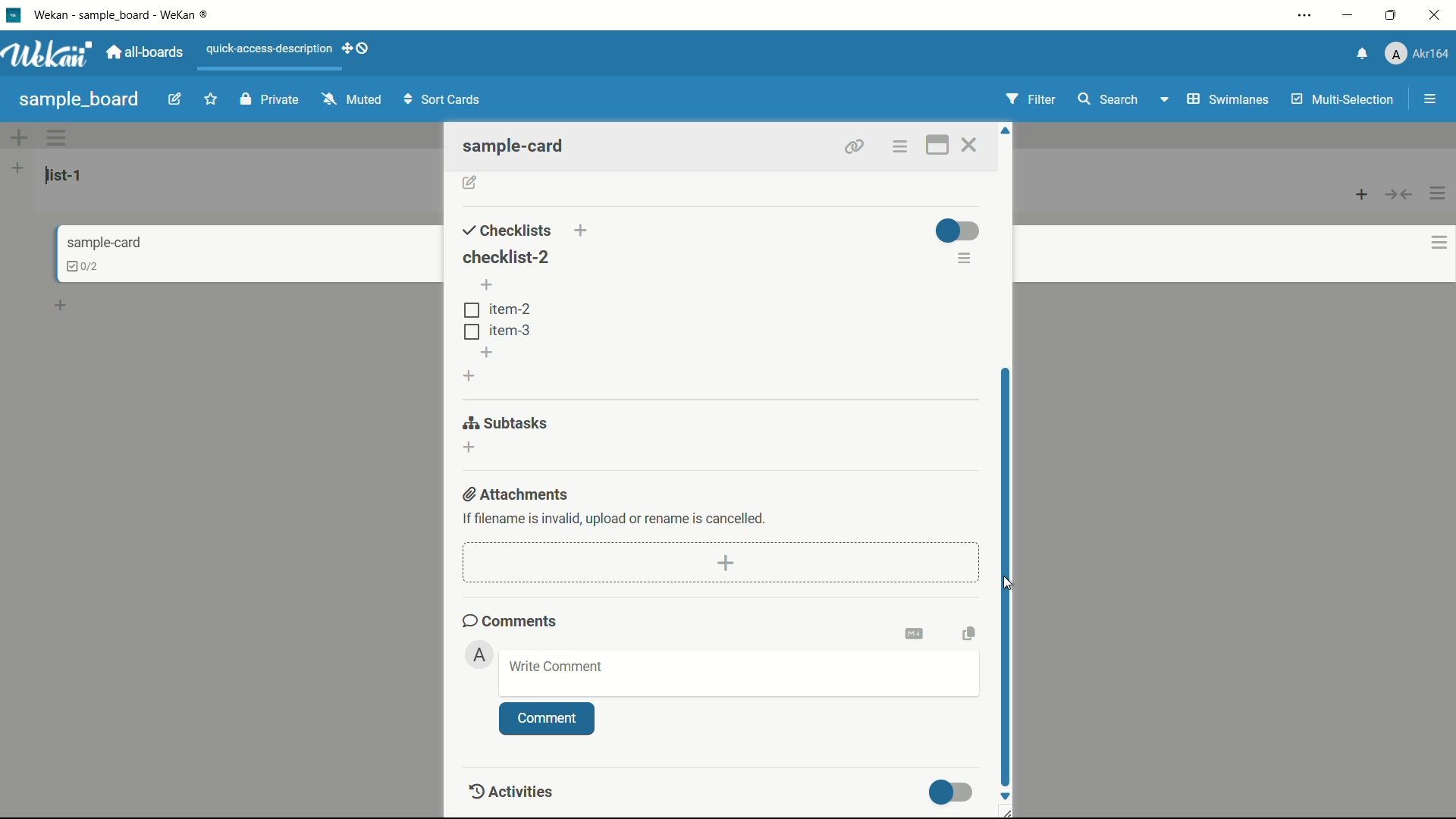  I want to click on tem-3, so click(497, 331).